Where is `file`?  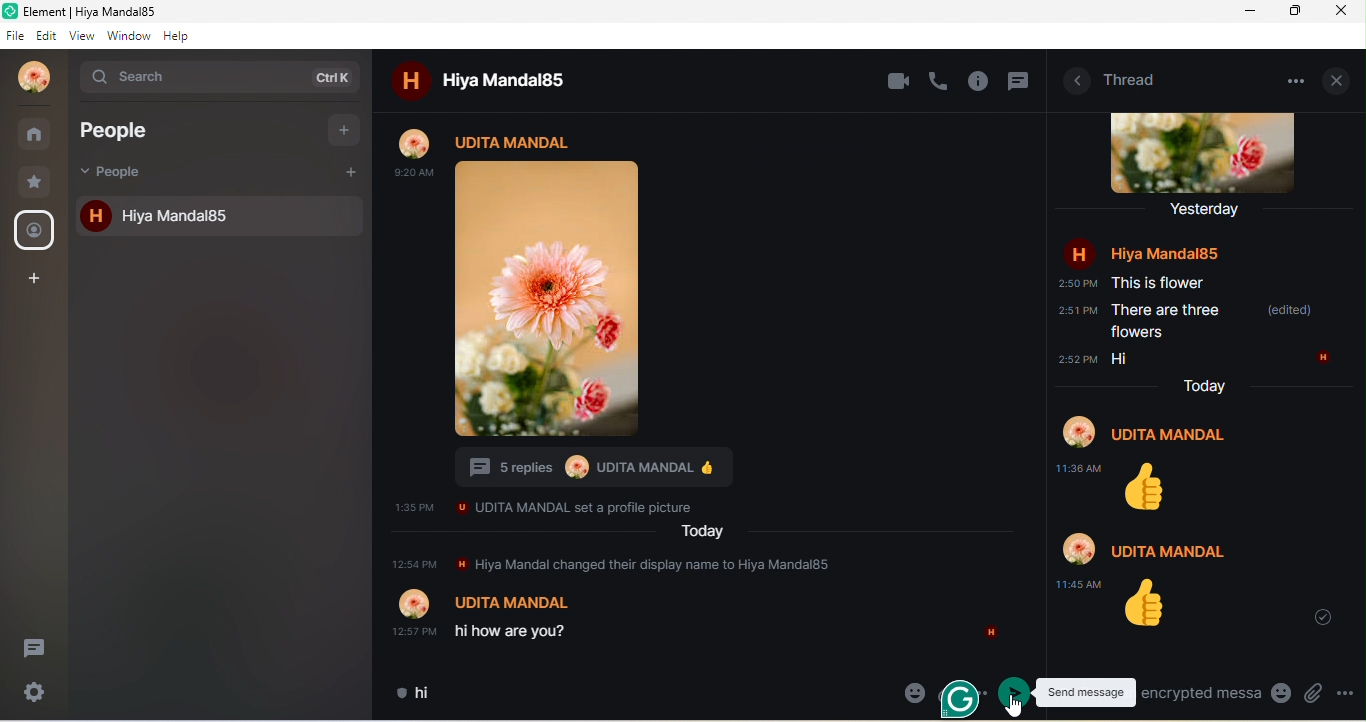
file is located at coordinates (15, 34).